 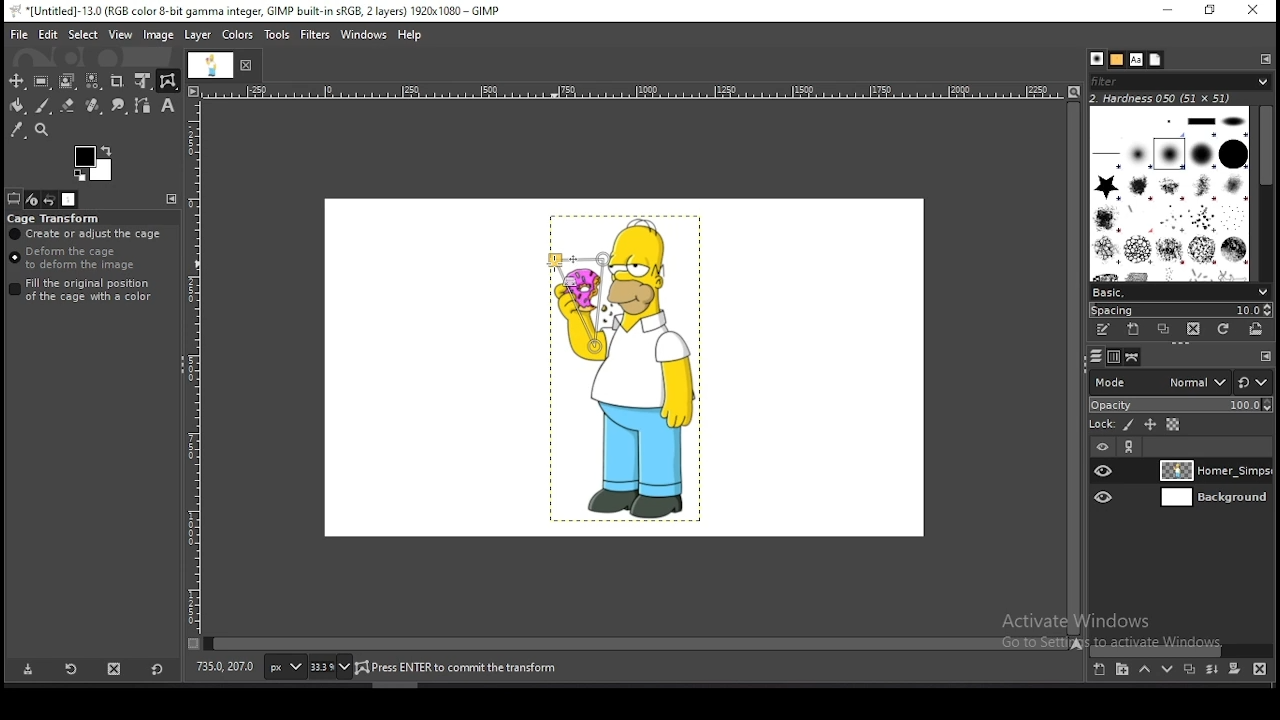 What do you see at coordinates (237, 35) in the screenshot?
I see `colors` at bounding box center [237, 35].